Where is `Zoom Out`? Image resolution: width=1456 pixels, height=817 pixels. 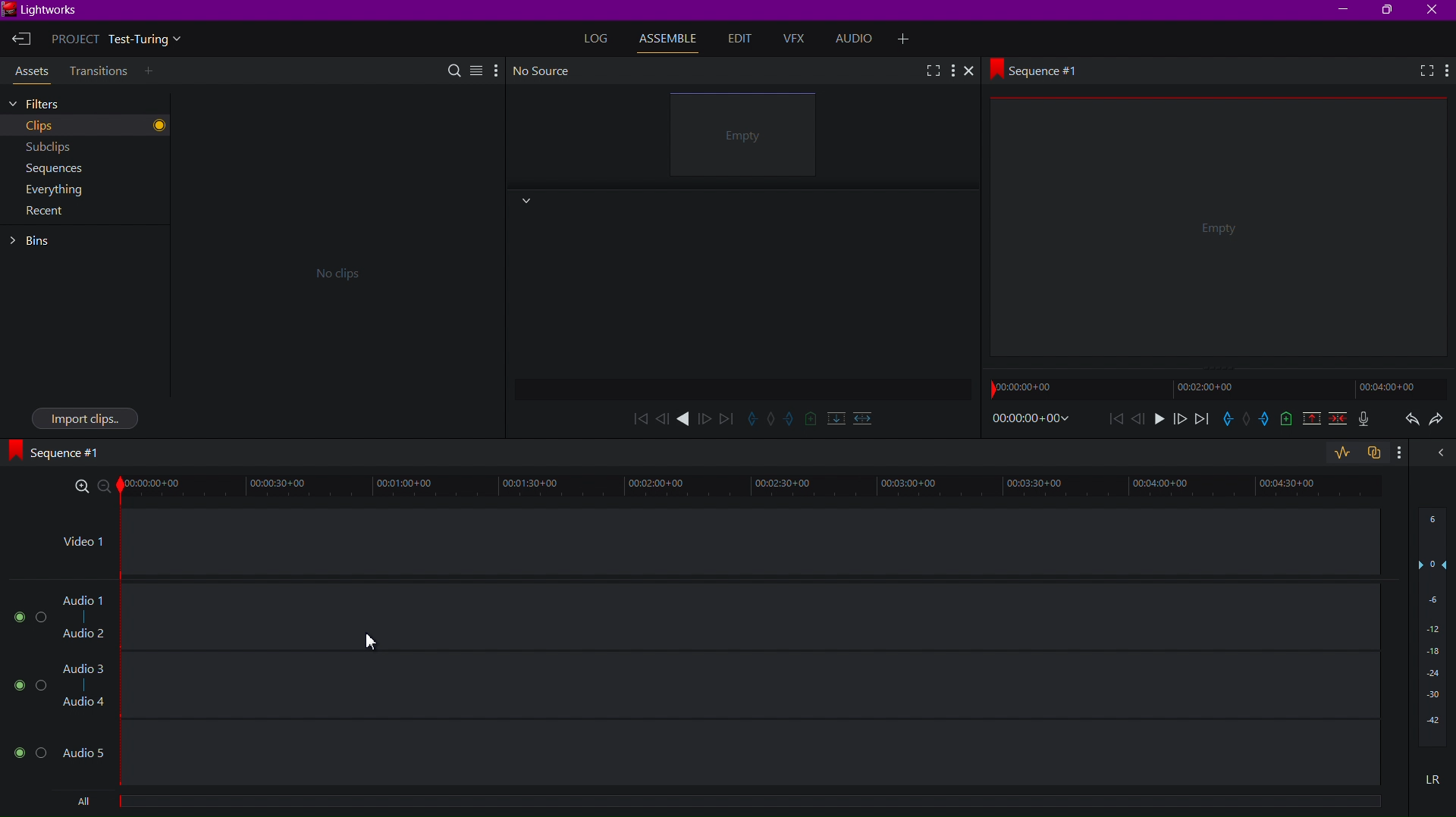 Zoom Out is located at coordinates (110, 488).